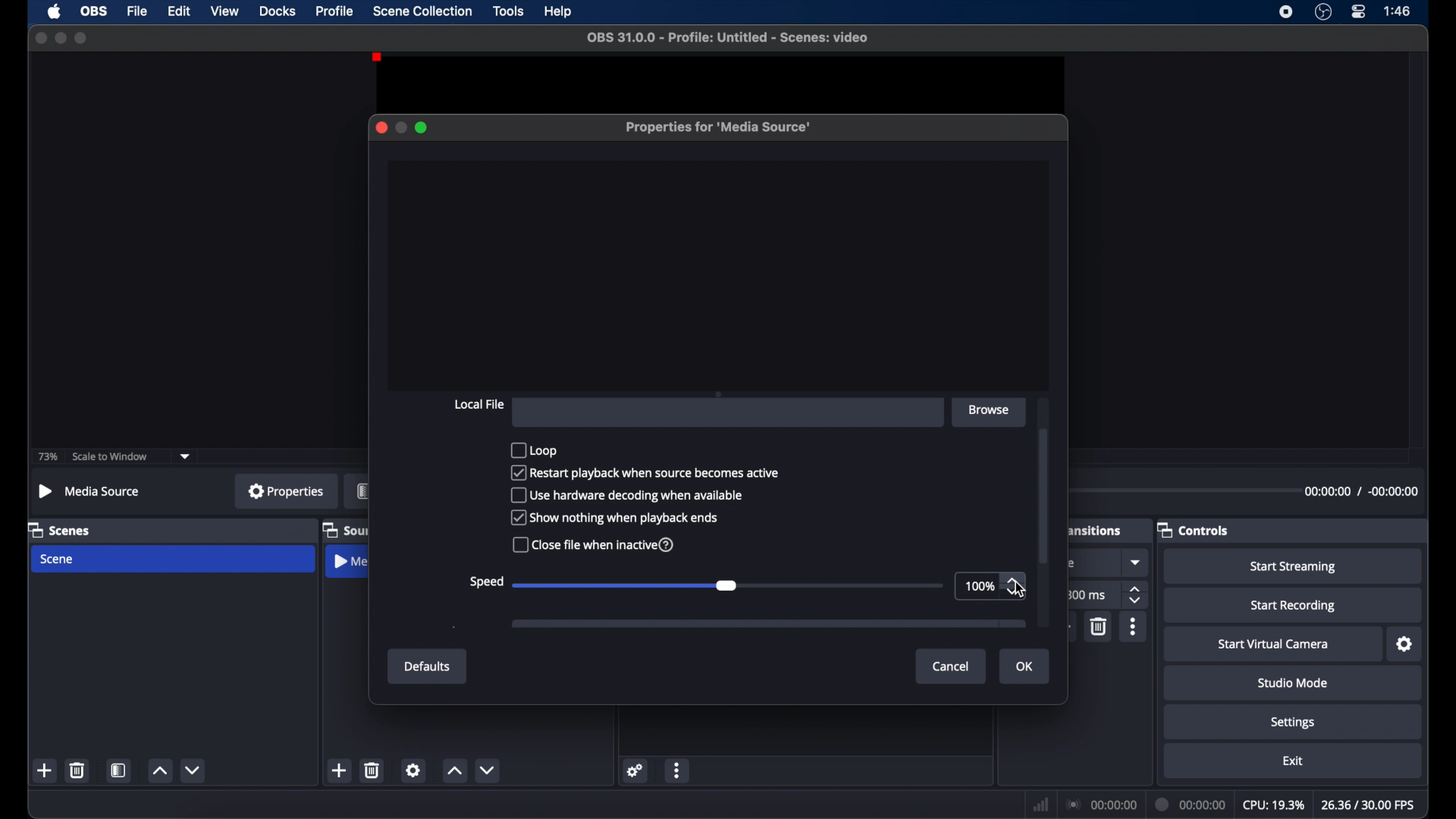 Image resolution: width=1456 pixels, height=819 pixels. What do you see at coordinates (1277, 645) in the screenshot?
I see `start virtual camera` at bounding box center [1277, 645].